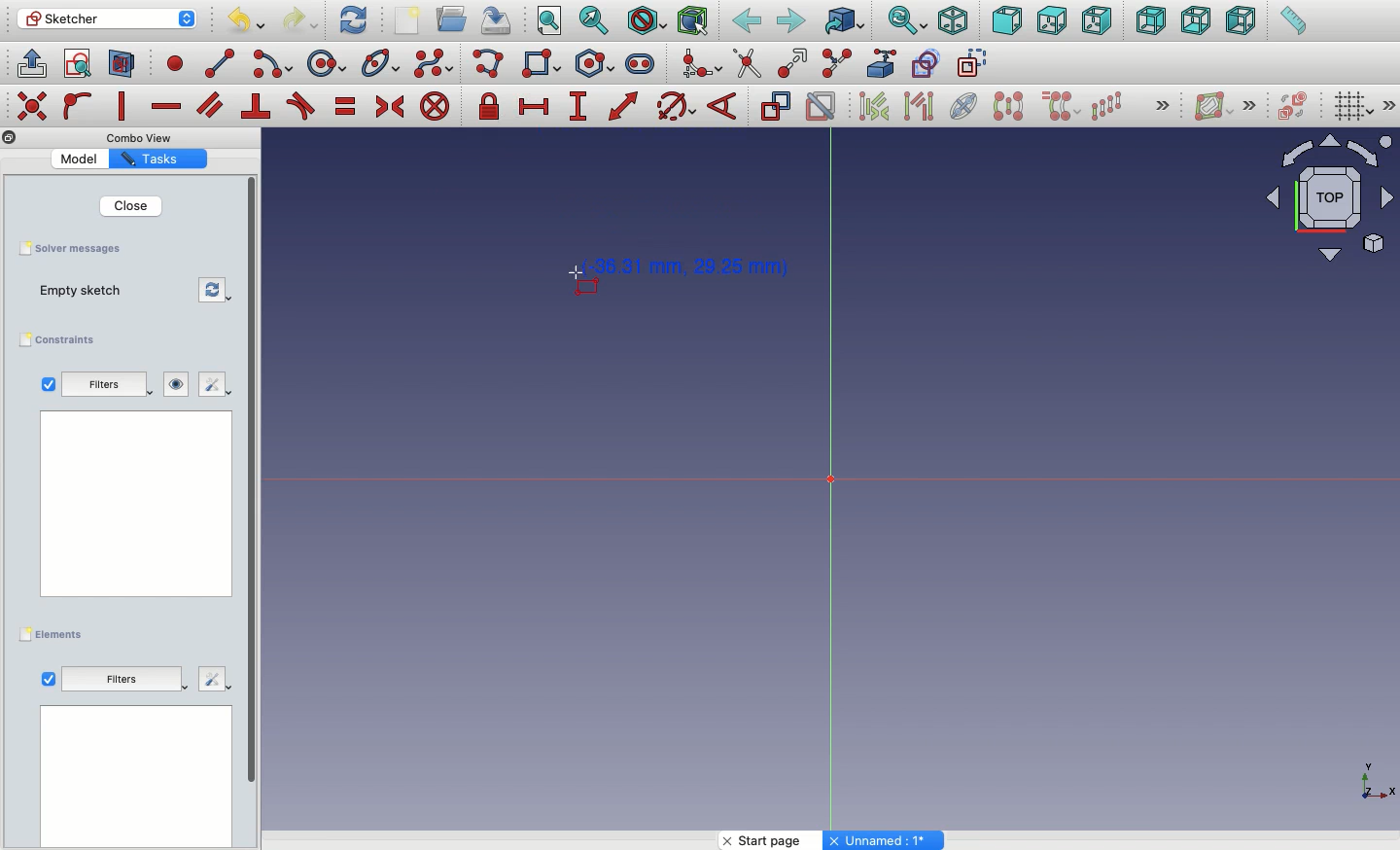 The image size is (1400, 850). What do you see at coordinates (494, 18) in the screenshot?
I see `Save` at bounding box center [494, 18].